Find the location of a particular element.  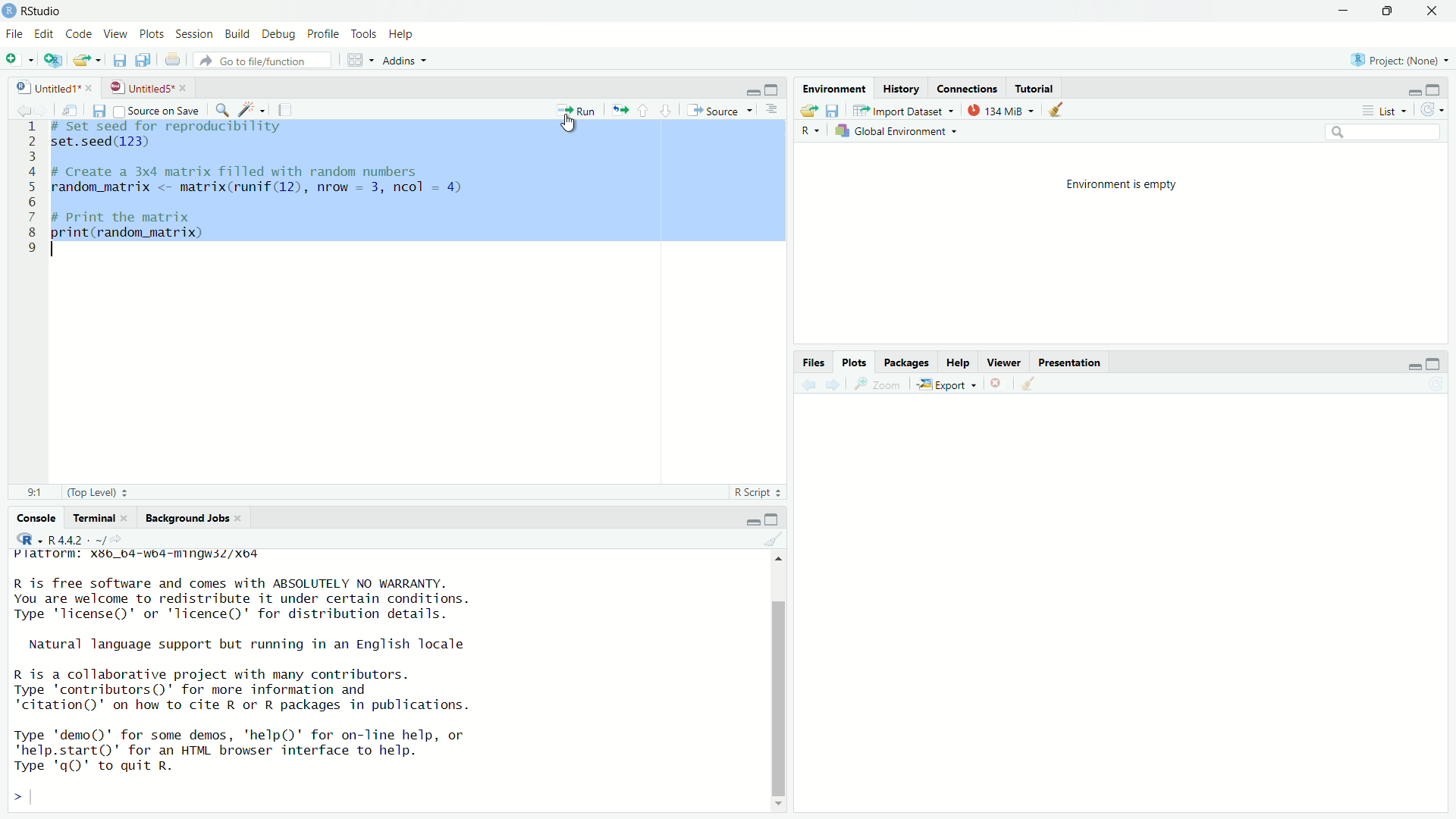

notes is located at coordinates (285, 106).